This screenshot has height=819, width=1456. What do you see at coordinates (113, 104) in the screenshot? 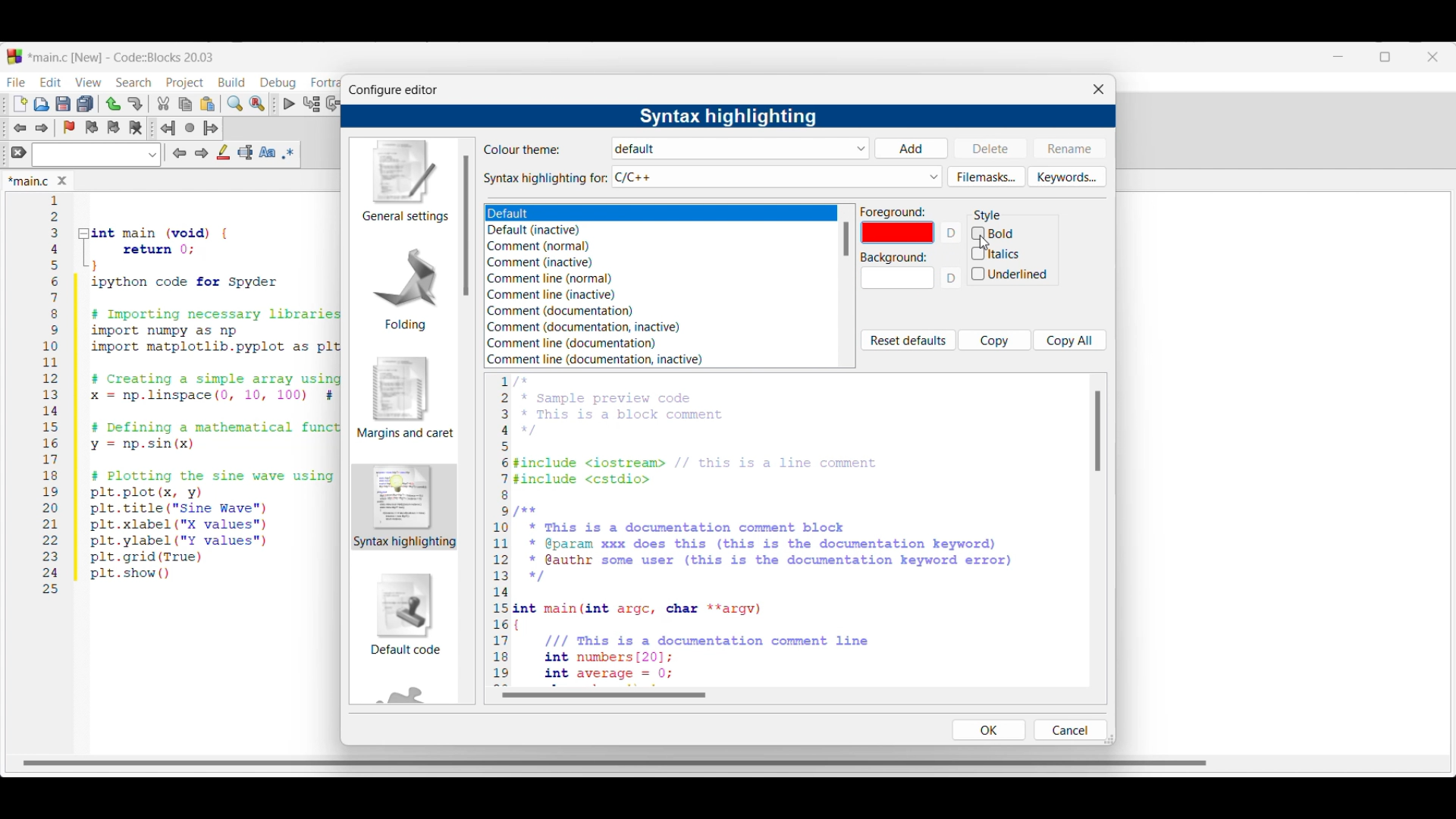
I see `Undo` at bounding box center [113, 104].